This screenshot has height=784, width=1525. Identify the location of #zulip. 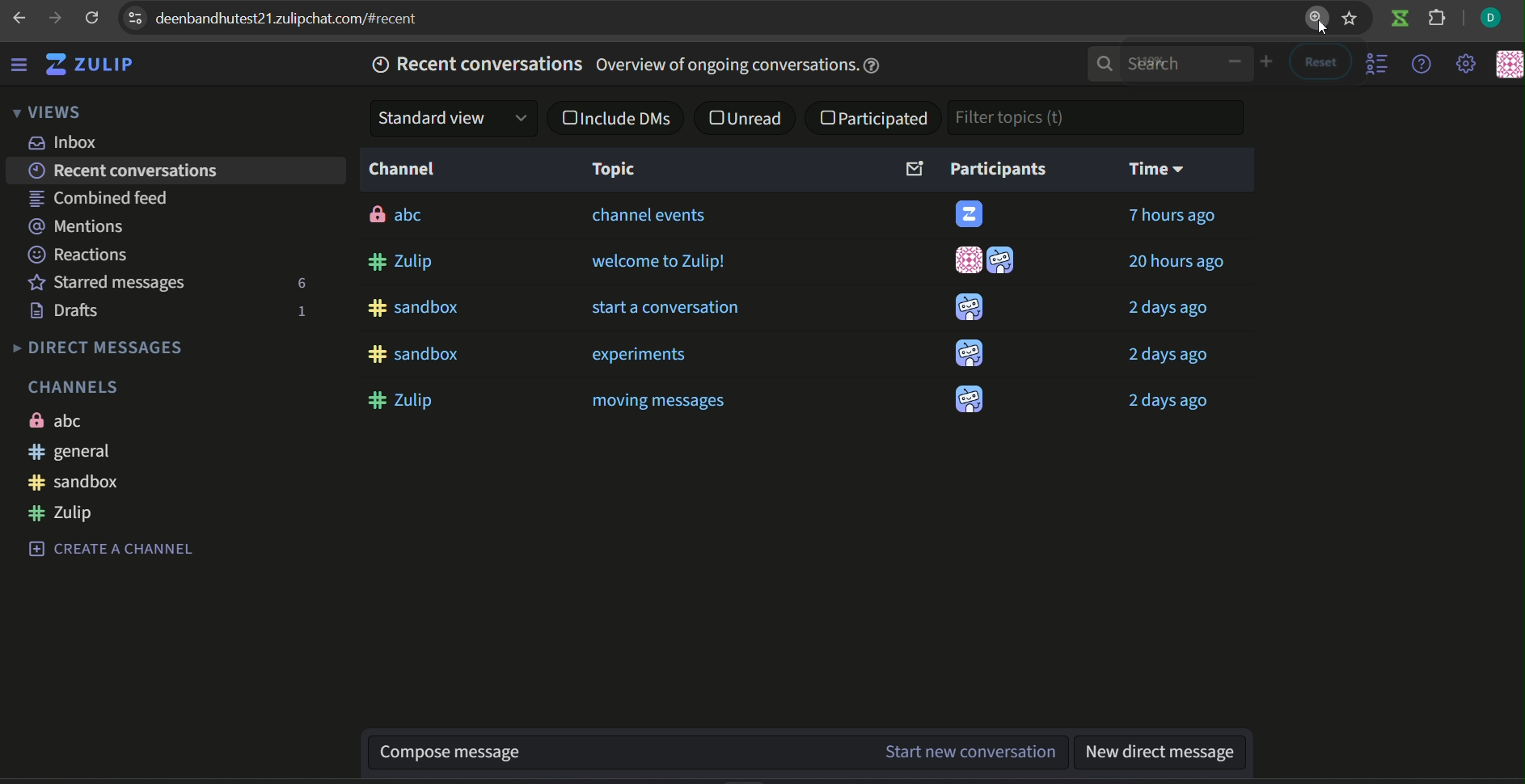
(406, 263).